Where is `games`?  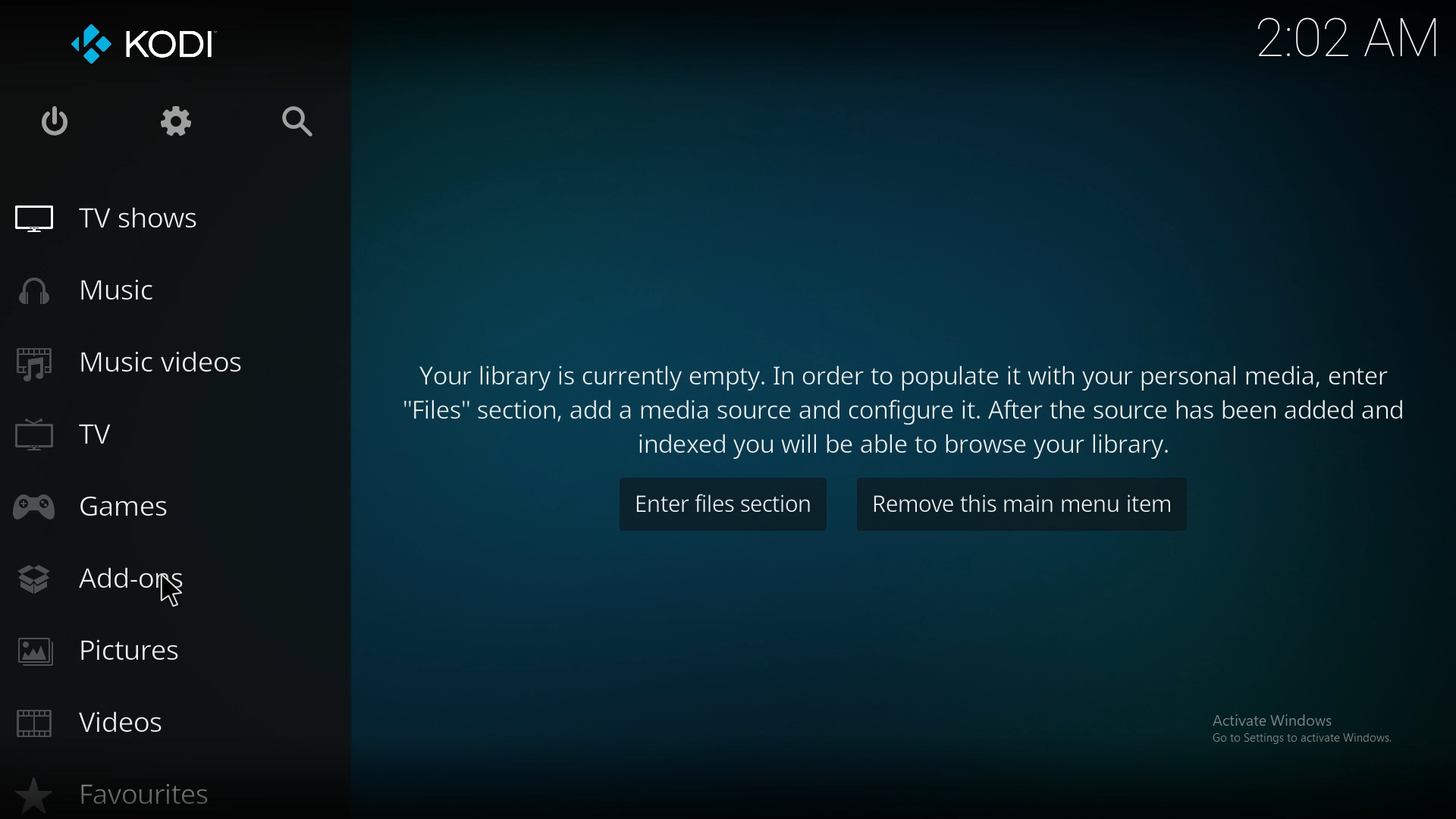
games is located at coordinates (101, 505).